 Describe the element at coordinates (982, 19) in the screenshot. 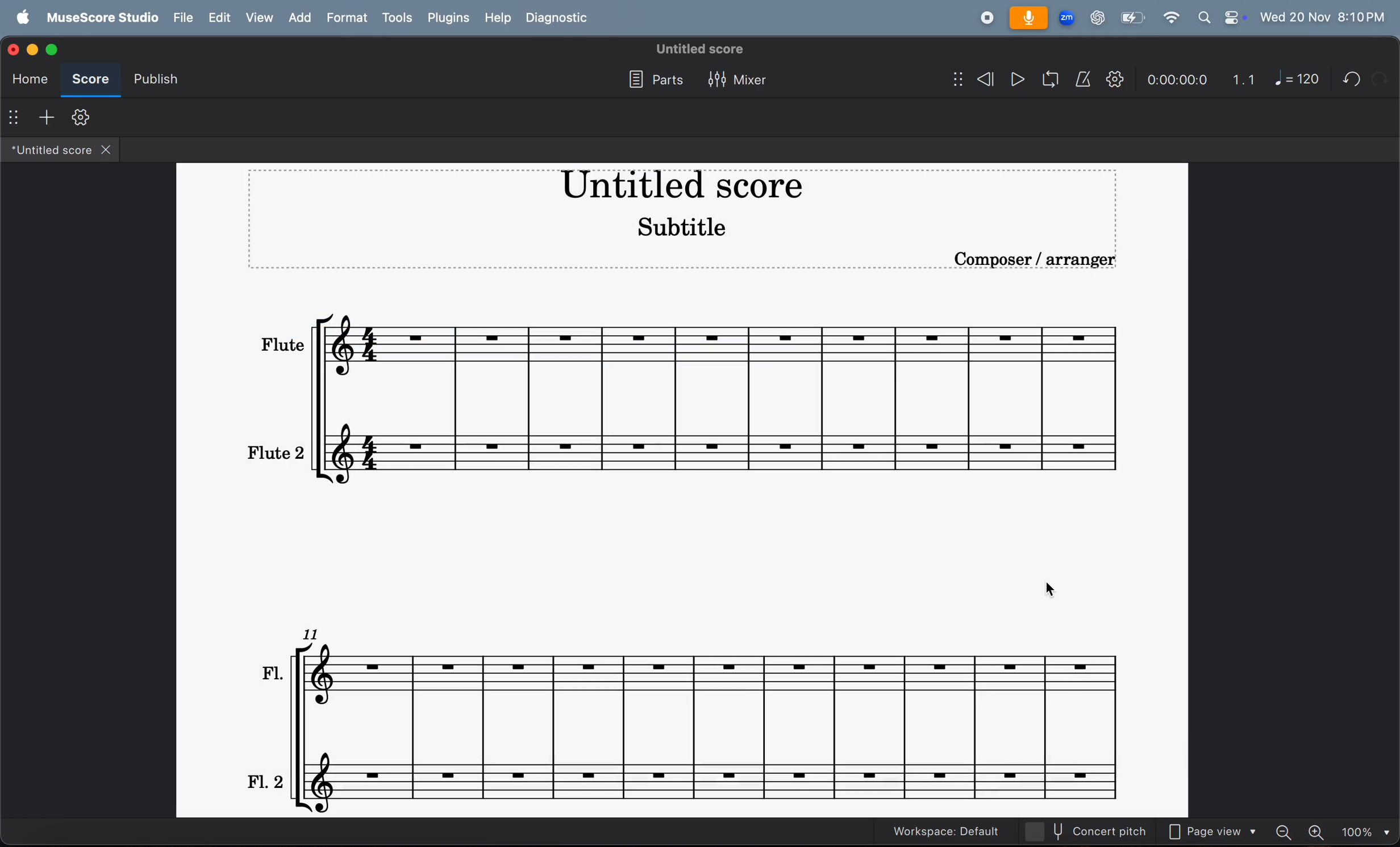

I see `record` at that location.